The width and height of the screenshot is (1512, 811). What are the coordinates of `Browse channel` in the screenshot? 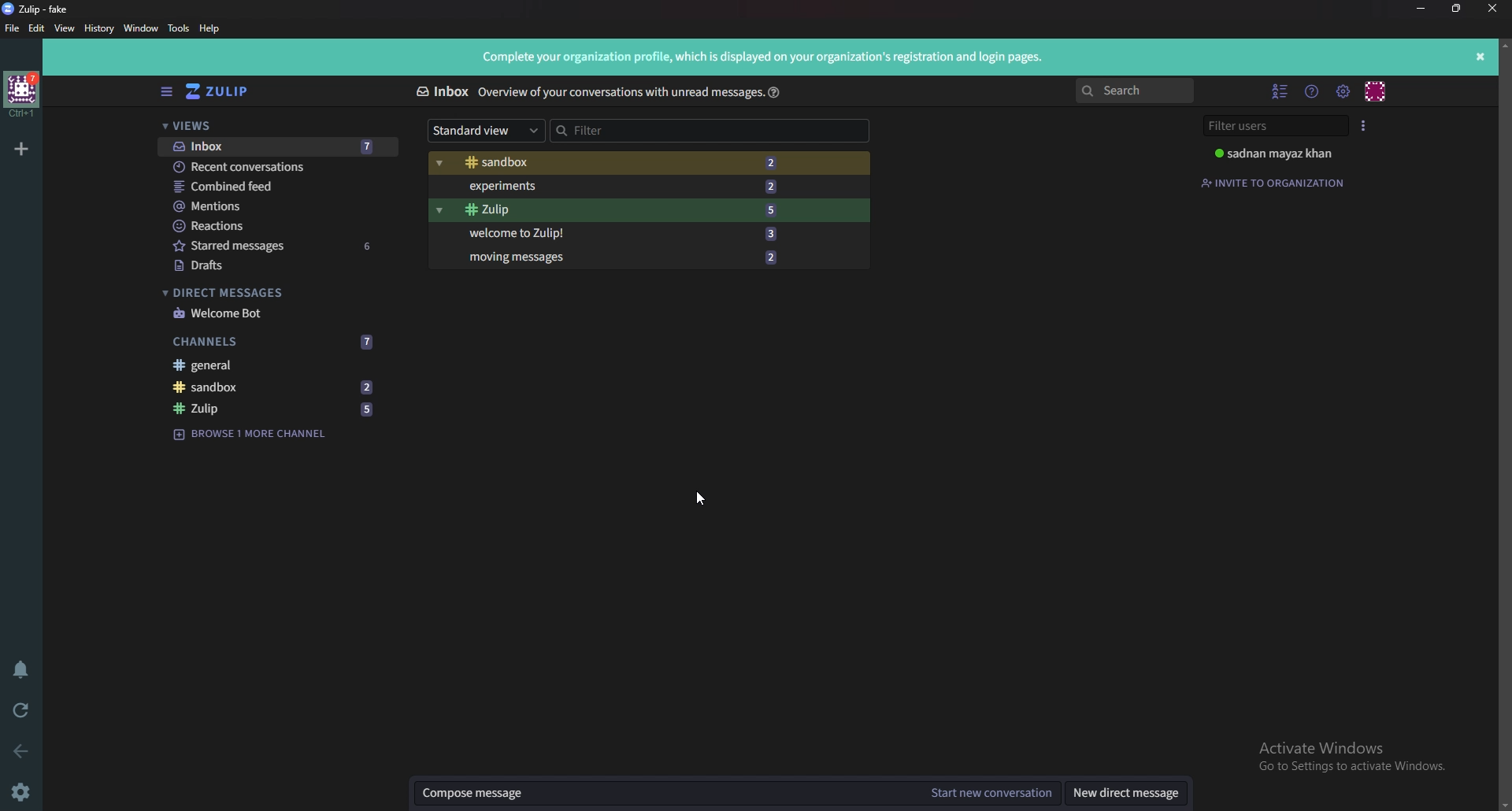 It's located at (256, 435).